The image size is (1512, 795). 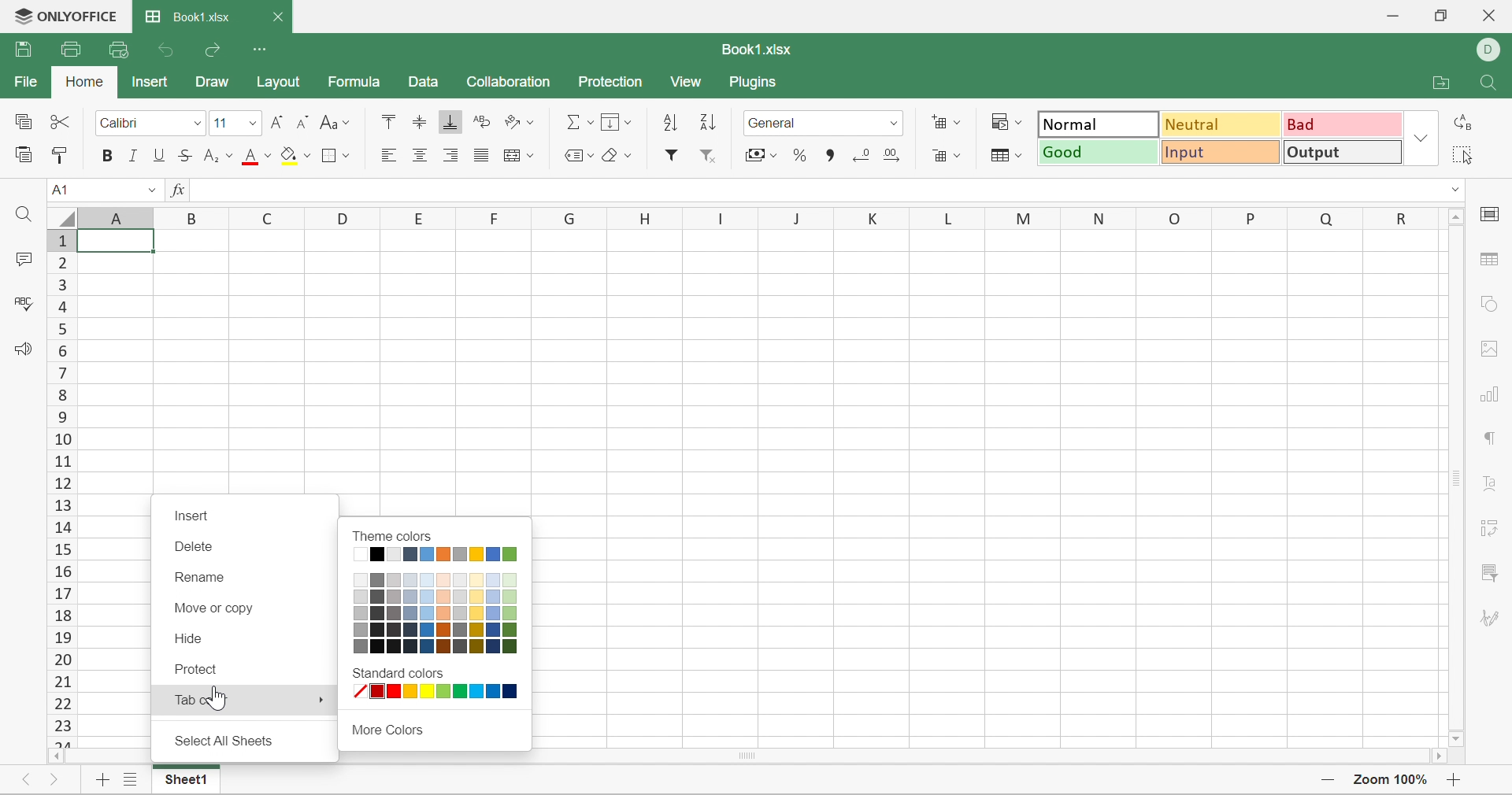 What do you see at coordinates (1442, 15) in the screenshot?
I see `Restore down` at bounding box center [1442, 15].